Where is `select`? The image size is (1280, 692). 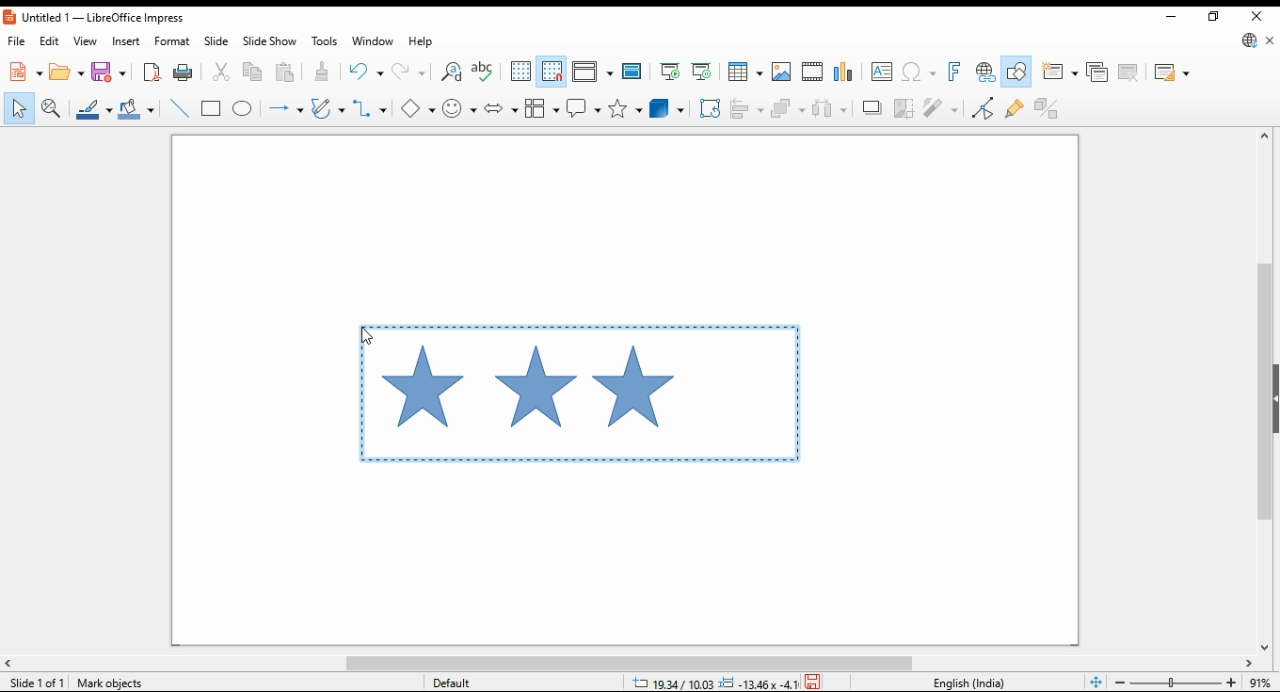
select is located at coordinates (20, 108).